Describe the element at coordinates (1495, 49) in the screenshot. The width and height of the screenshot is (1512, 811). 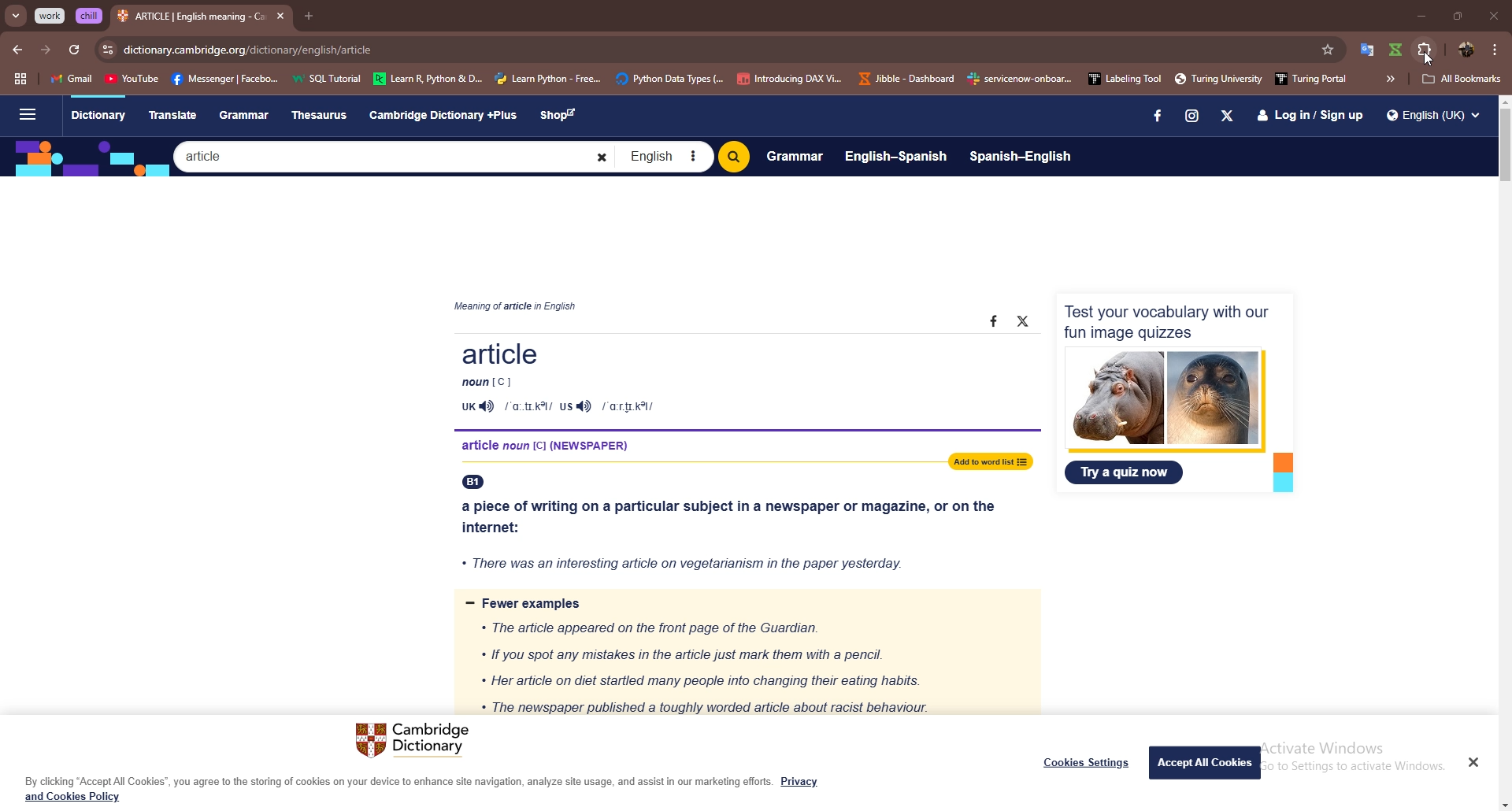
I see `options` at that location.